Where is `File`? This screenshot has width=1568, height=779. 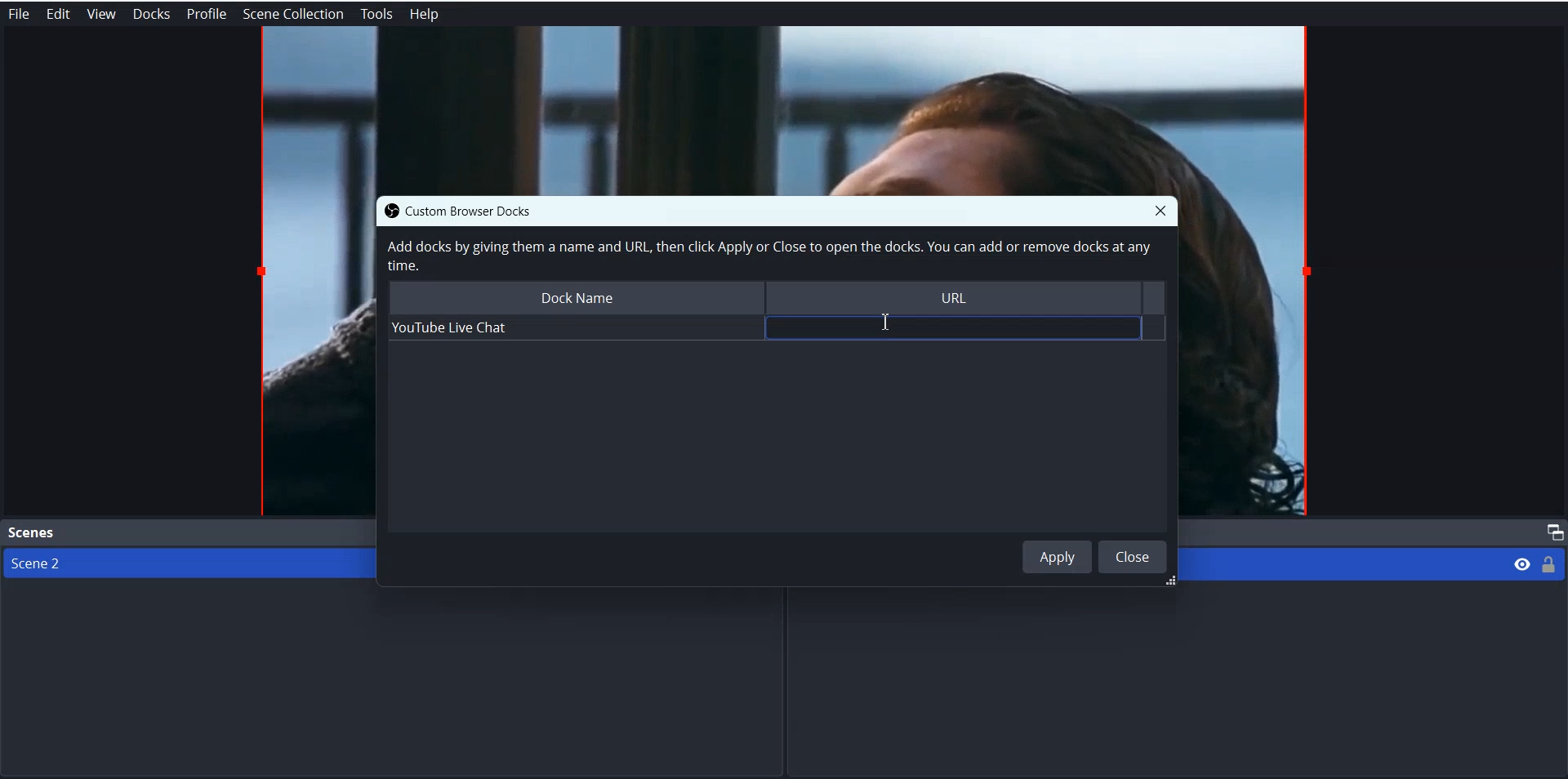 File is located at coordinates (18, 14).